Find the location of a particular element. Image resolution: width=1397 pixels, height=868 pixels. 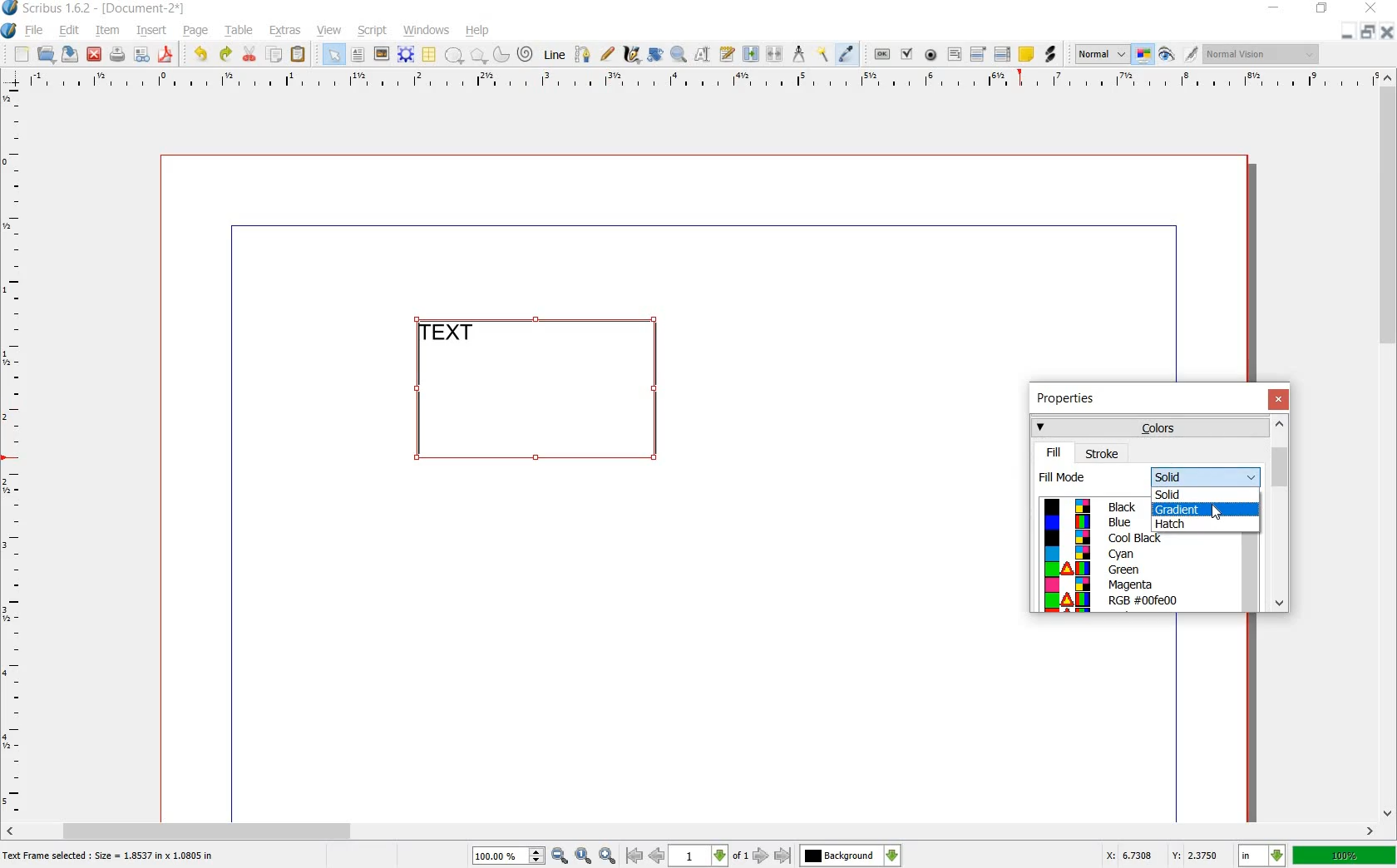

fill is located at coordinates (1054, 452).